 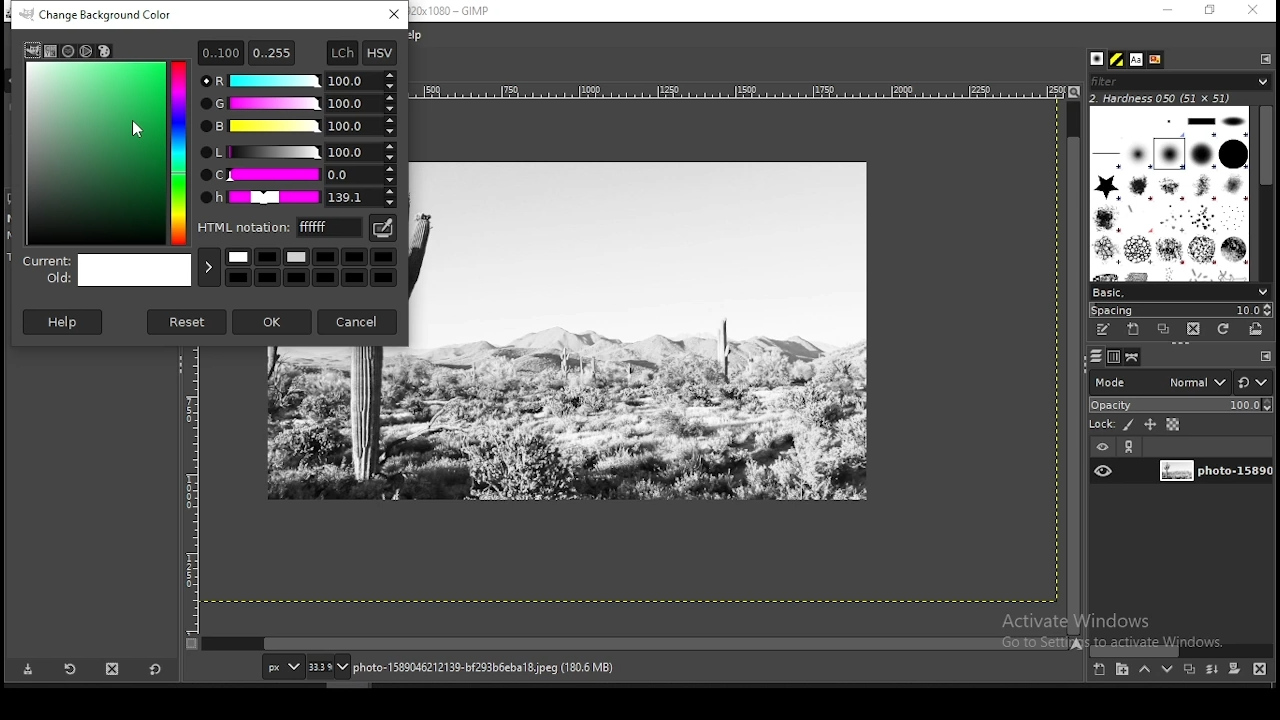 What do you see at coordinates (298, 127) in the screenshot?
I see `blue` at bounding box center [298, 127].